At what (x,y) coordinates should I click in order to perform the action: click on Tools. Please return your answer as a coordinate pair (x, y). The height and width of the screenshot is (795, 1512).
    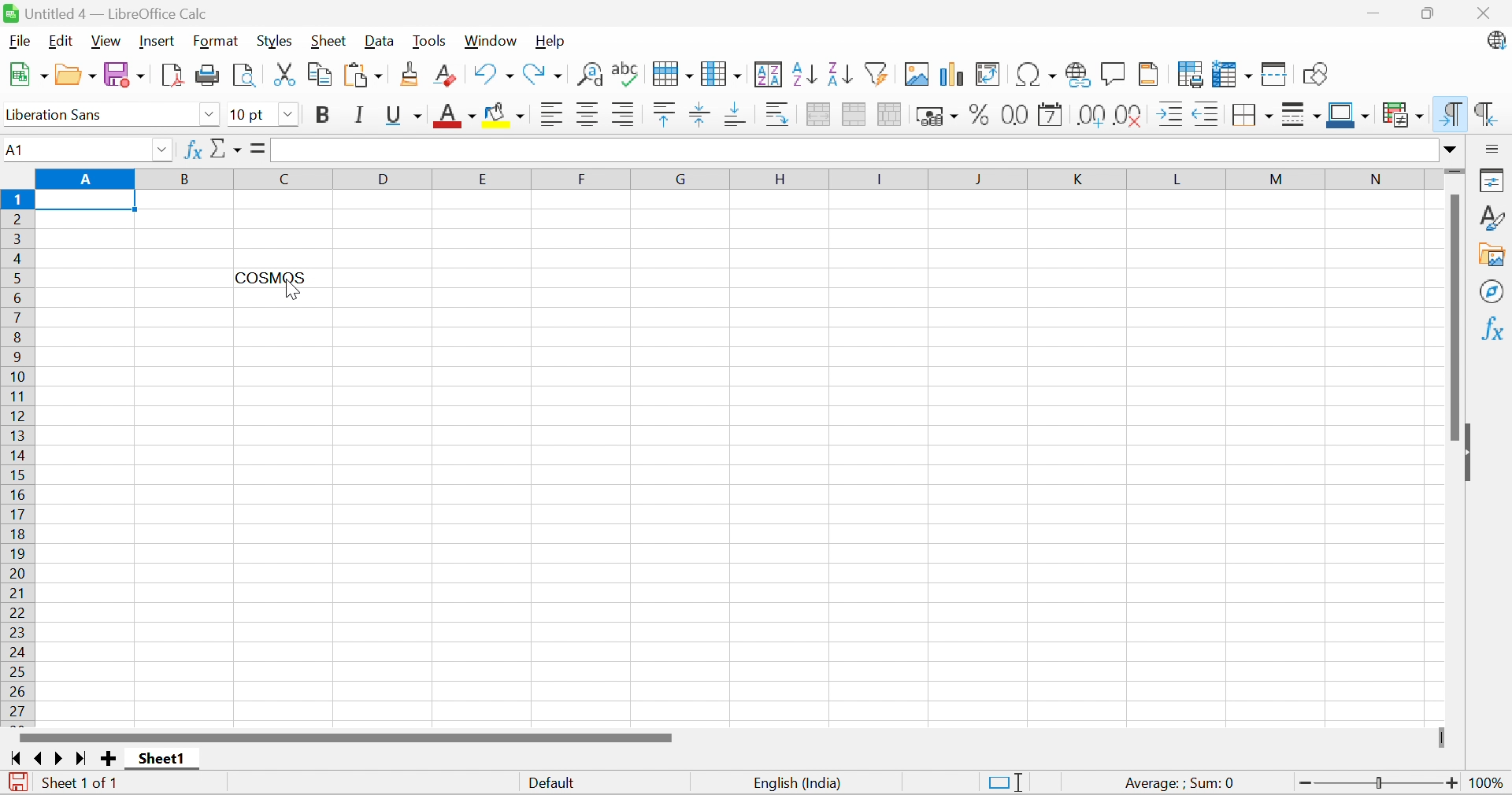
    Looking at the image, I should click on (431, 40).